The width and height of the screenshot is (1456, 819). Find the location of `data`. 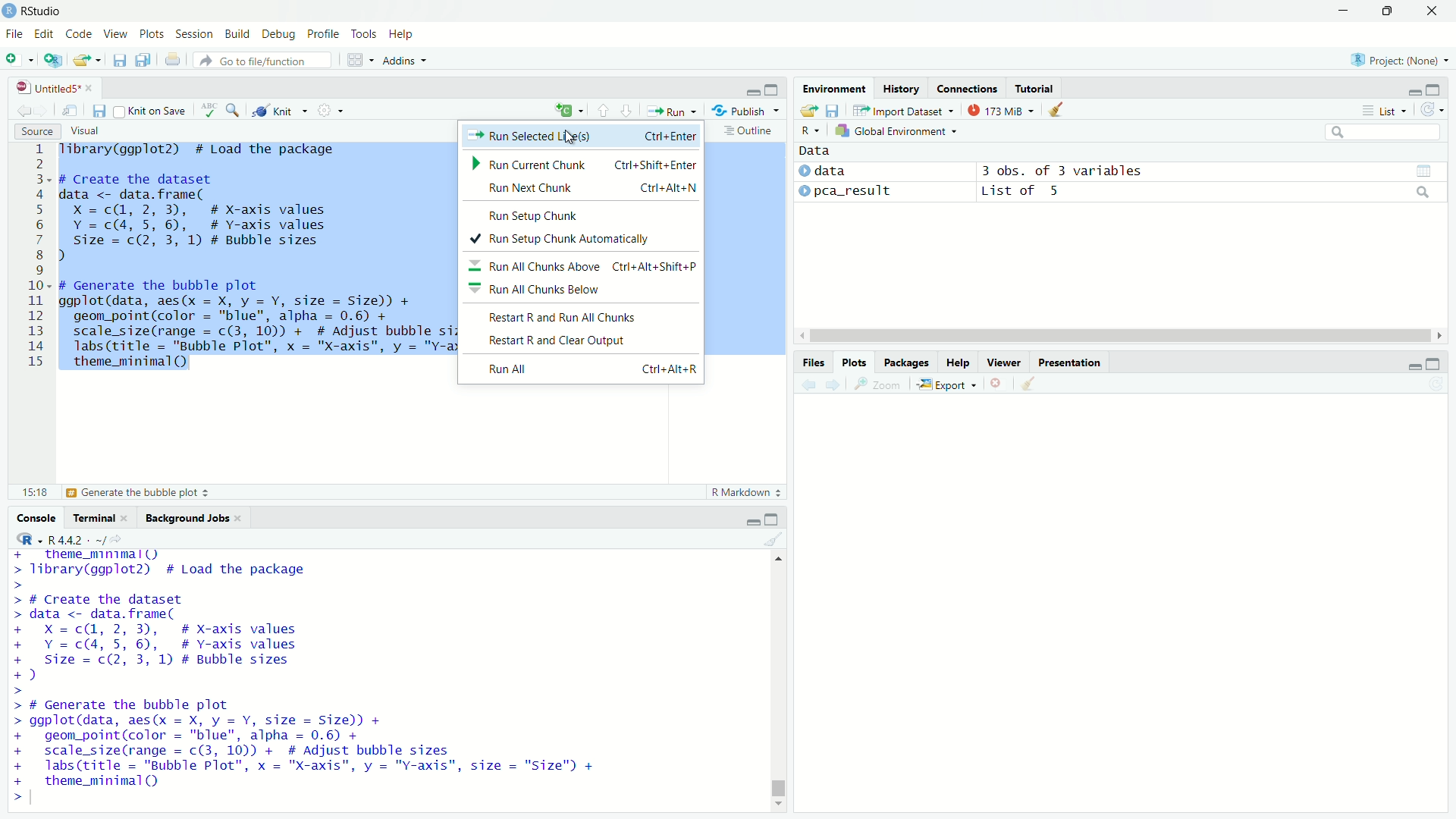

data is located at coordinates (816, 151).